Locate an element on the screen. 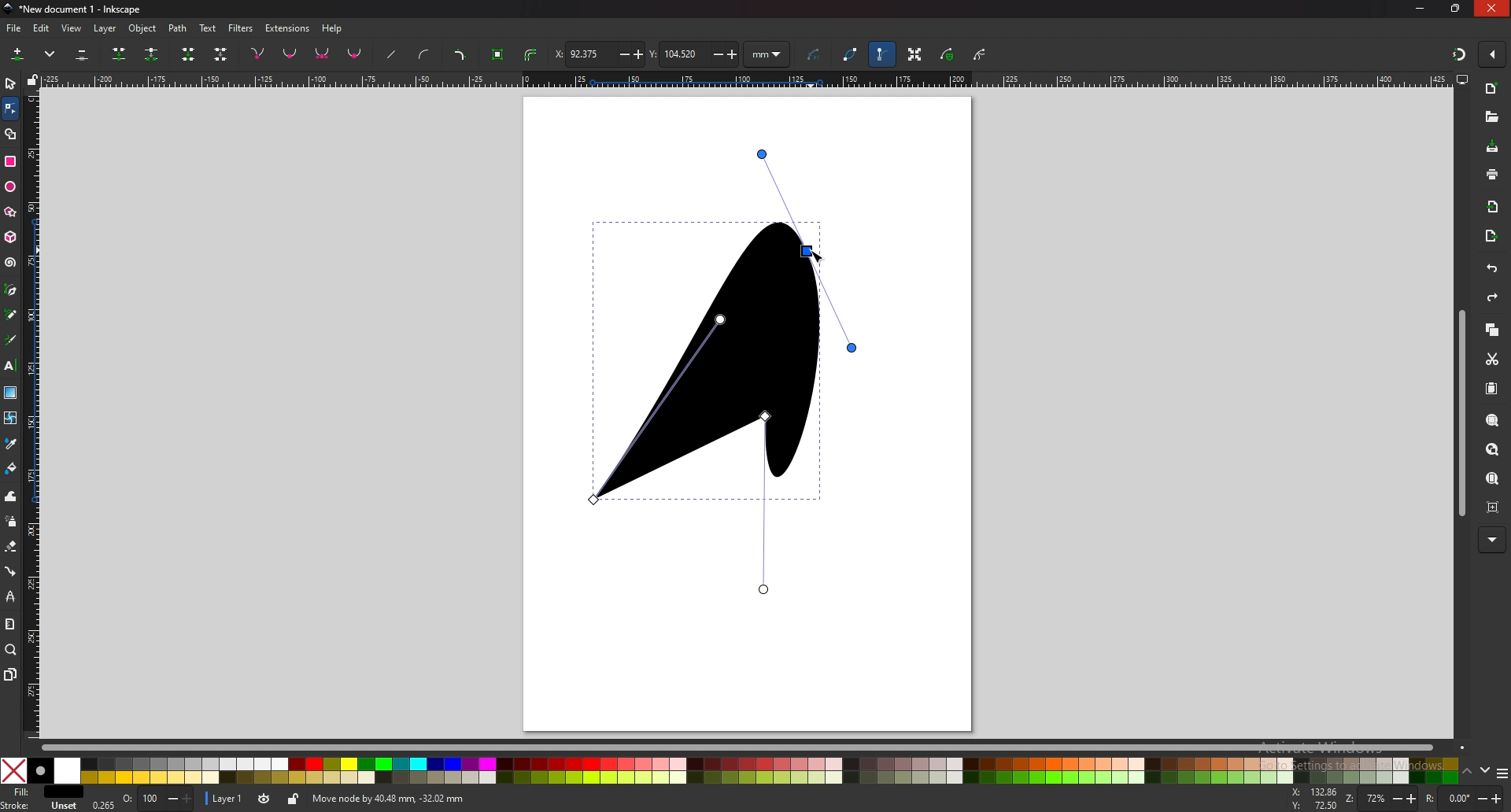  make selected nodes auto smooth is located at coordinates (355, 55).